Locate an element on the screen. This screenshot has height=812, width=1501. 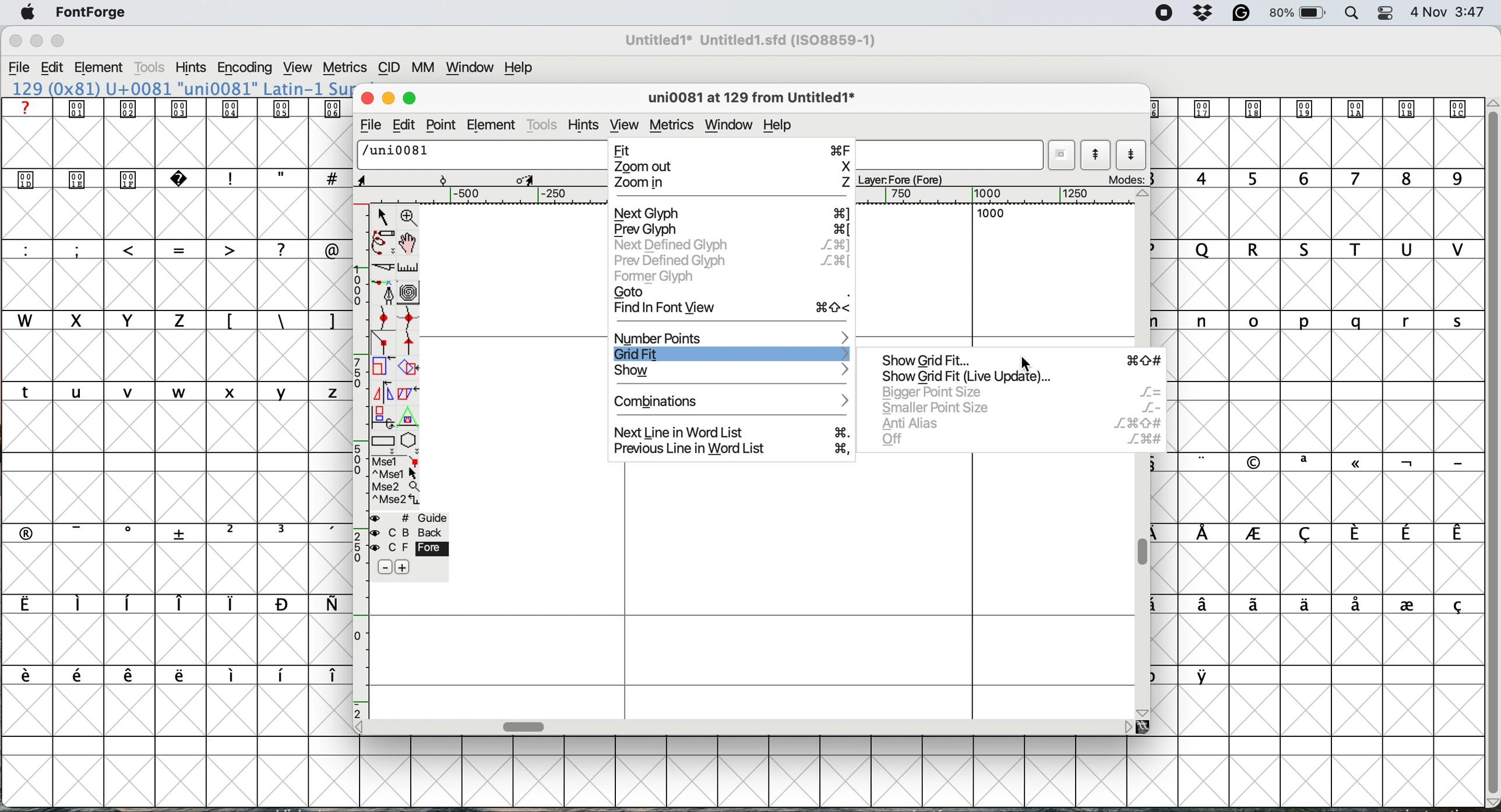
number points is located at coordinates (732, 337).